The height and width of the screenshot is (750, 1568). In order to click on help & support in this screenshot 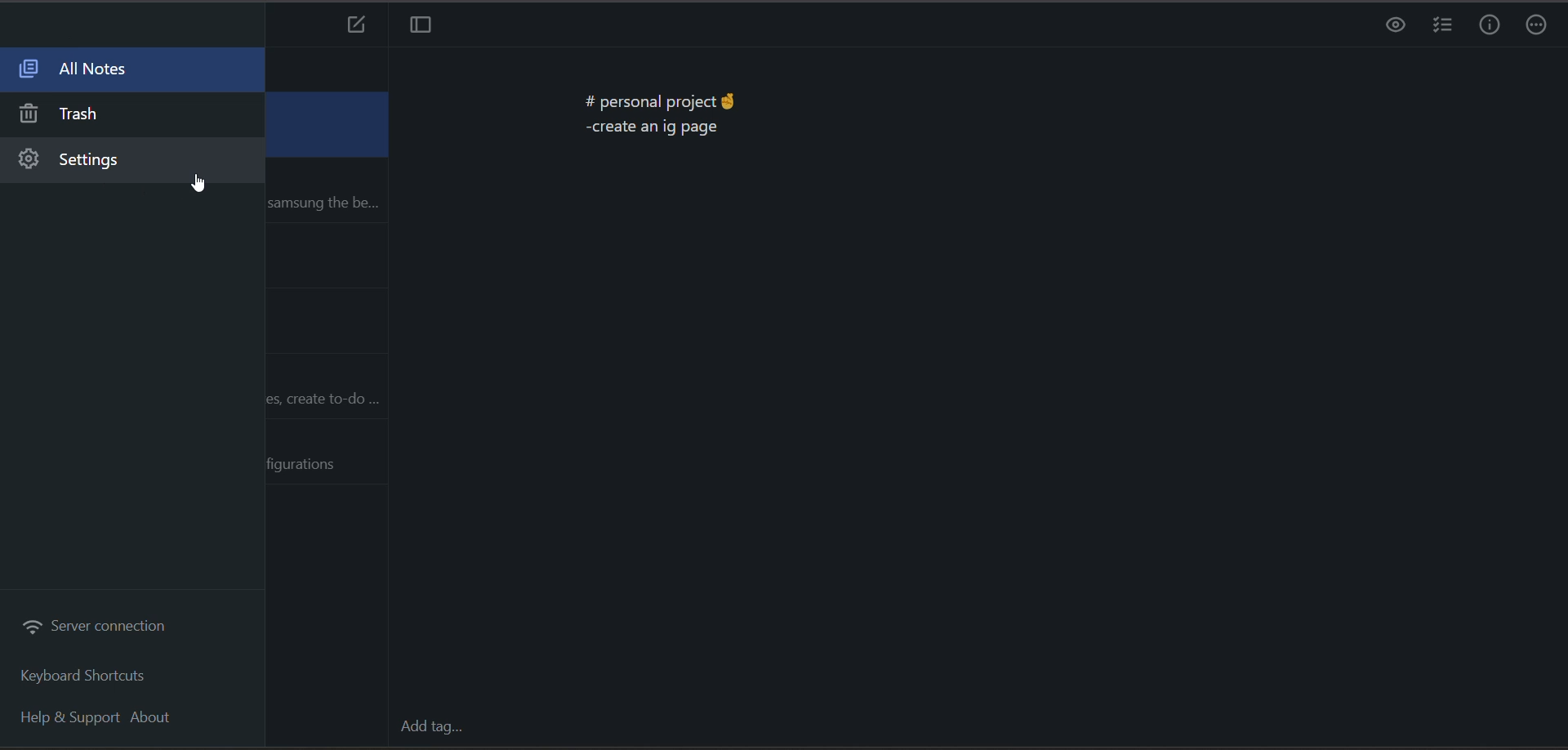, I will do `click(72, 720)`.